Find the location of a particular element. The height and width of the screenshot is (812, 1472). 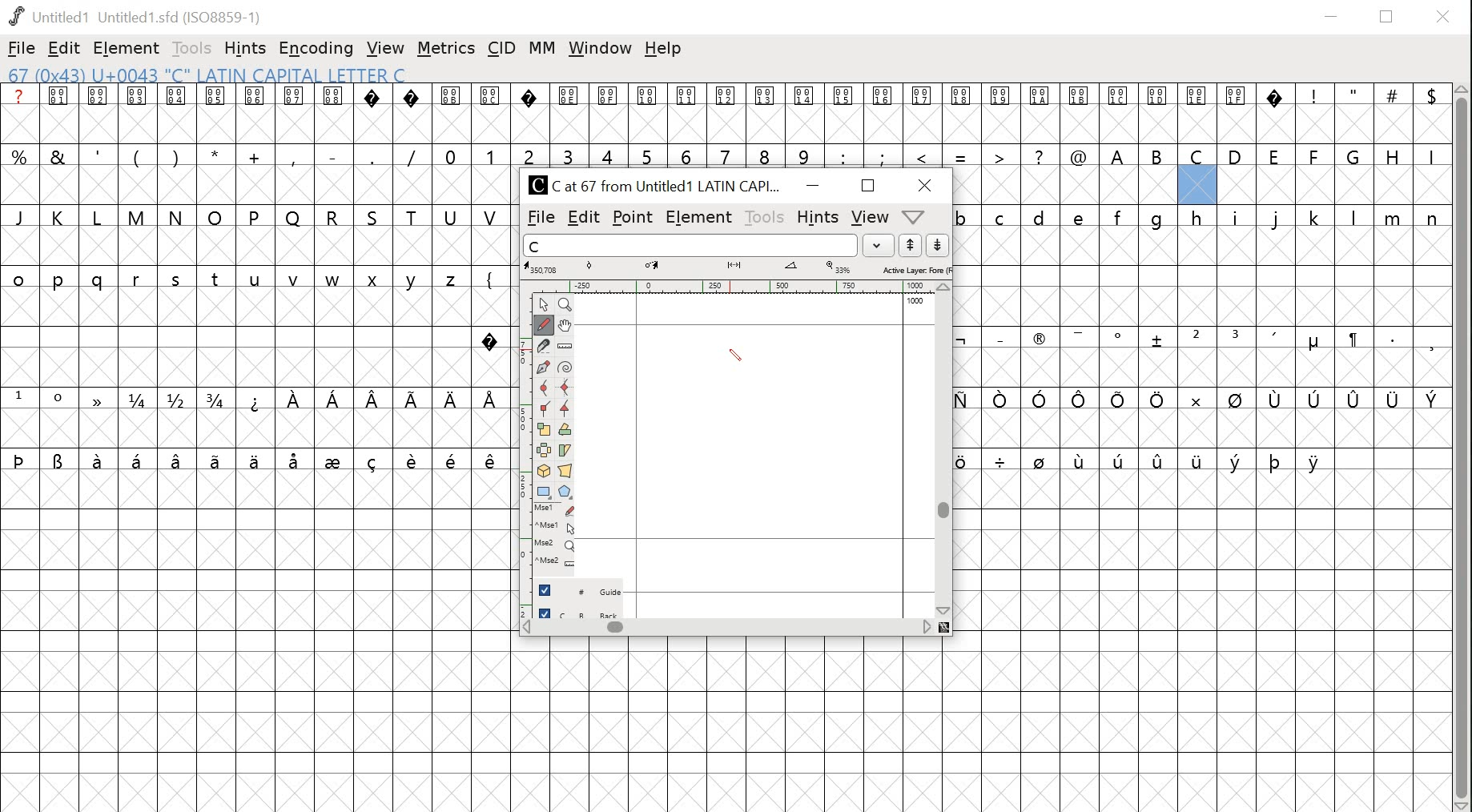

scrollbar is located at coordinates (944, 451).